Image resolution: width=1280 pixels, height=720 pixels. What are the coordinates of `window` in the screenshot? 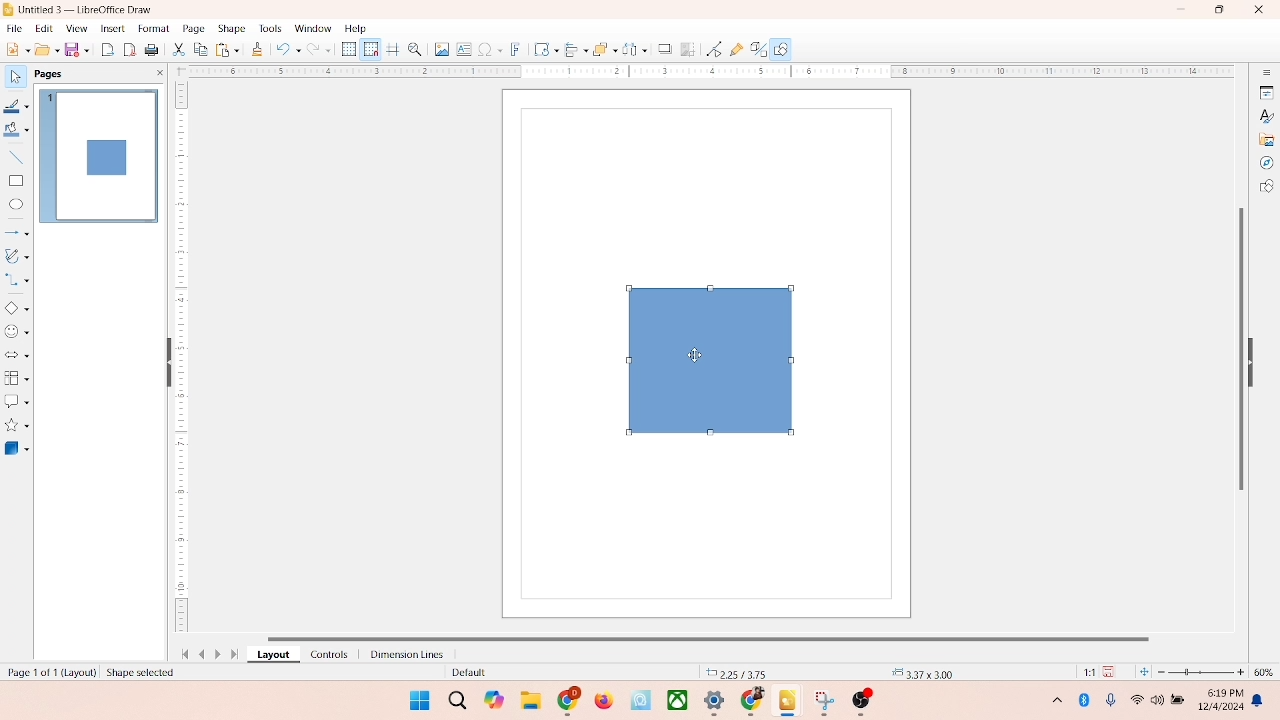 It's located at (312, 29).